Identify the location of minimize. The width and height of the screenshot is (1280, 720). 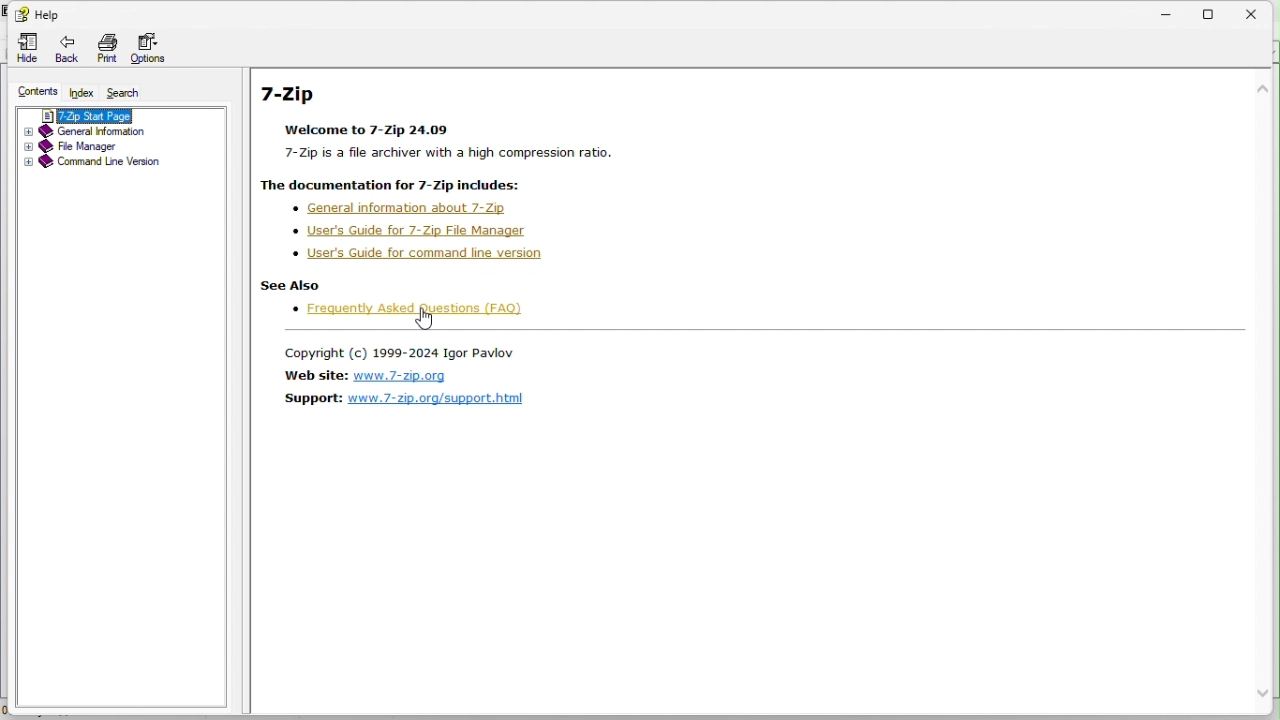
(1167, 11).